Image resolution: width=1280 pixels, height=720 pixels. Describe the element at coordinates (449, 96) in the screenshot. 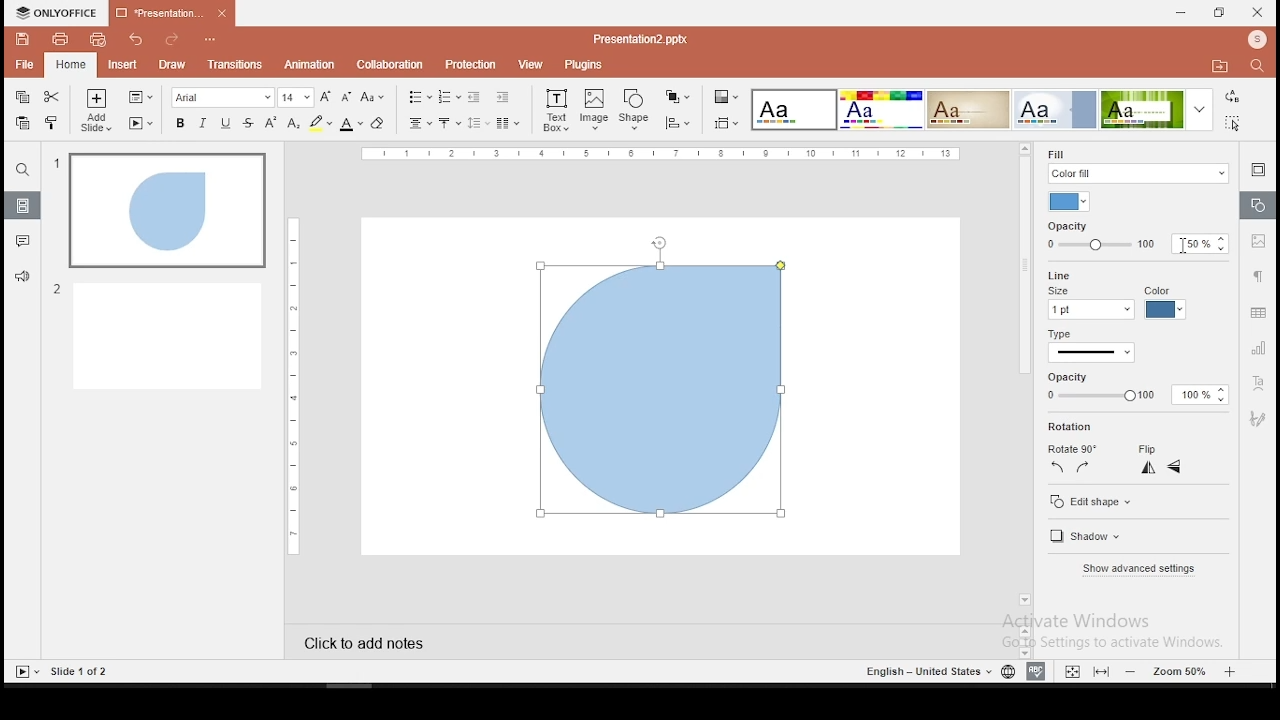

I see `numbering` at that location.